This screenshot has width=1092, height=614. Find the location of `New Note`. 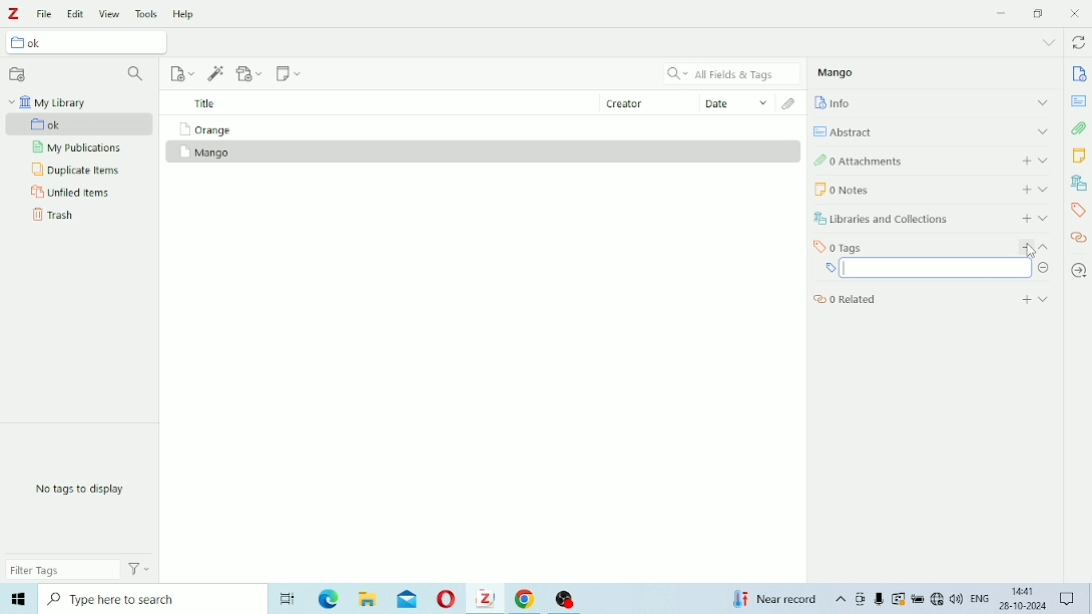

New Note is located at coordinates (289, 74).